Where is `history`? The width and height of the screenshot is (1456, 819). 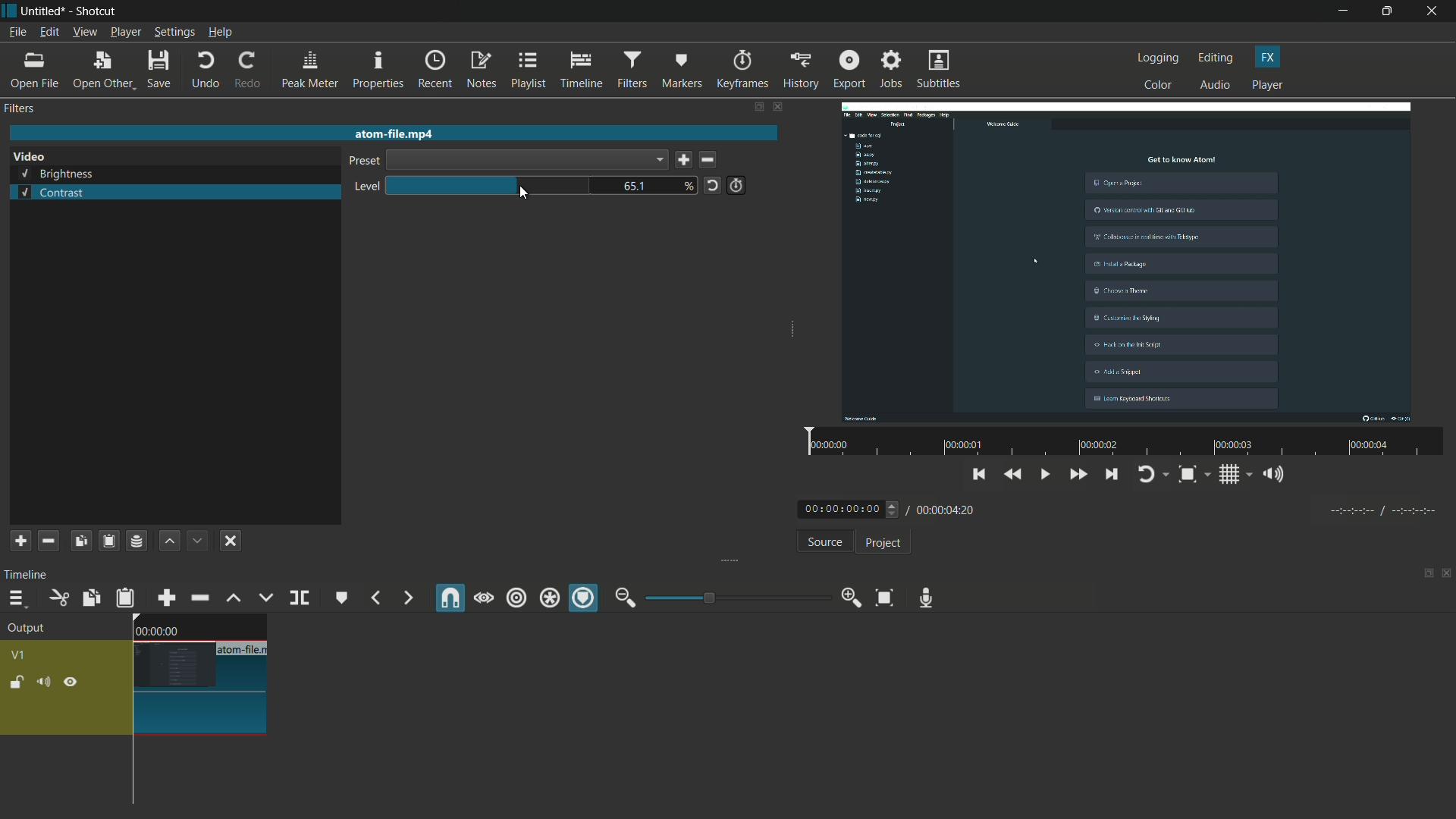 history is located at coordinates (799, 70).